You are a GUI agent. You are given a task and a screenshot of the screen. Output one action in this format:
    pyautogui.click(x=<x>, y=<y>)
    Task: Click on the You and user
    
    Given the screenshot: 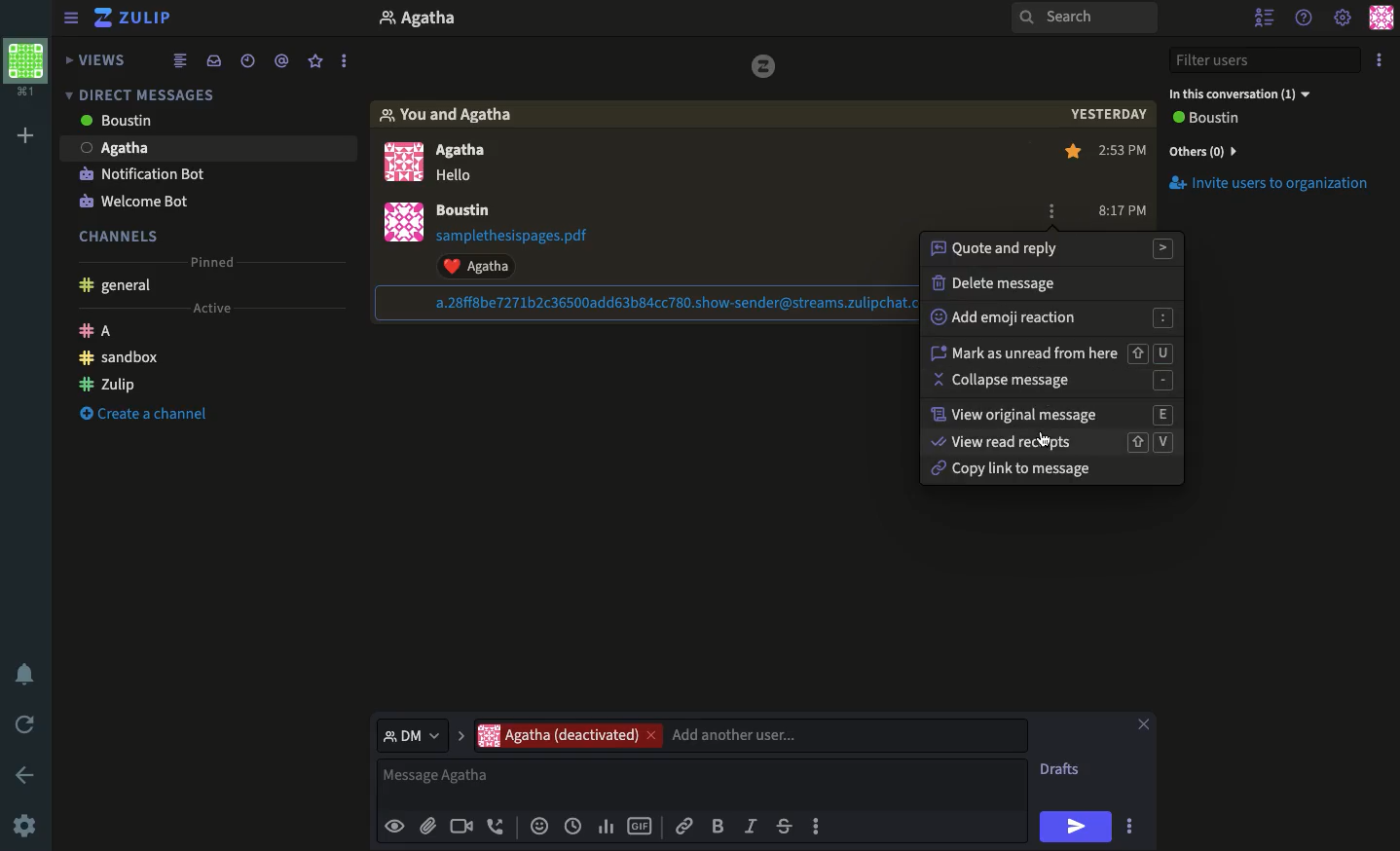 What is the action you would take?
    pyautogui.click(x=457, y=116)
    